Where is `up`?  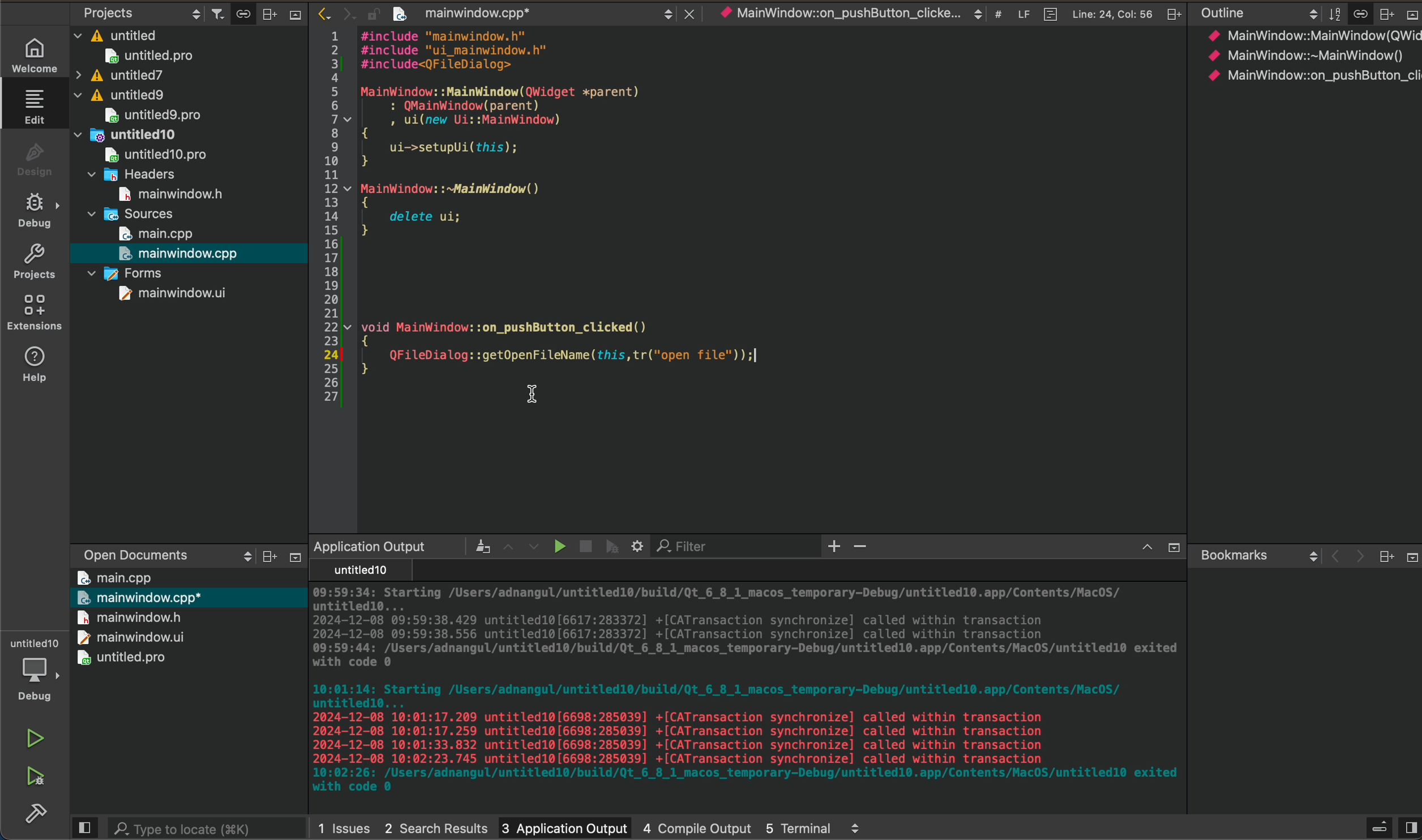 up is located at coordinates (1141, 548).